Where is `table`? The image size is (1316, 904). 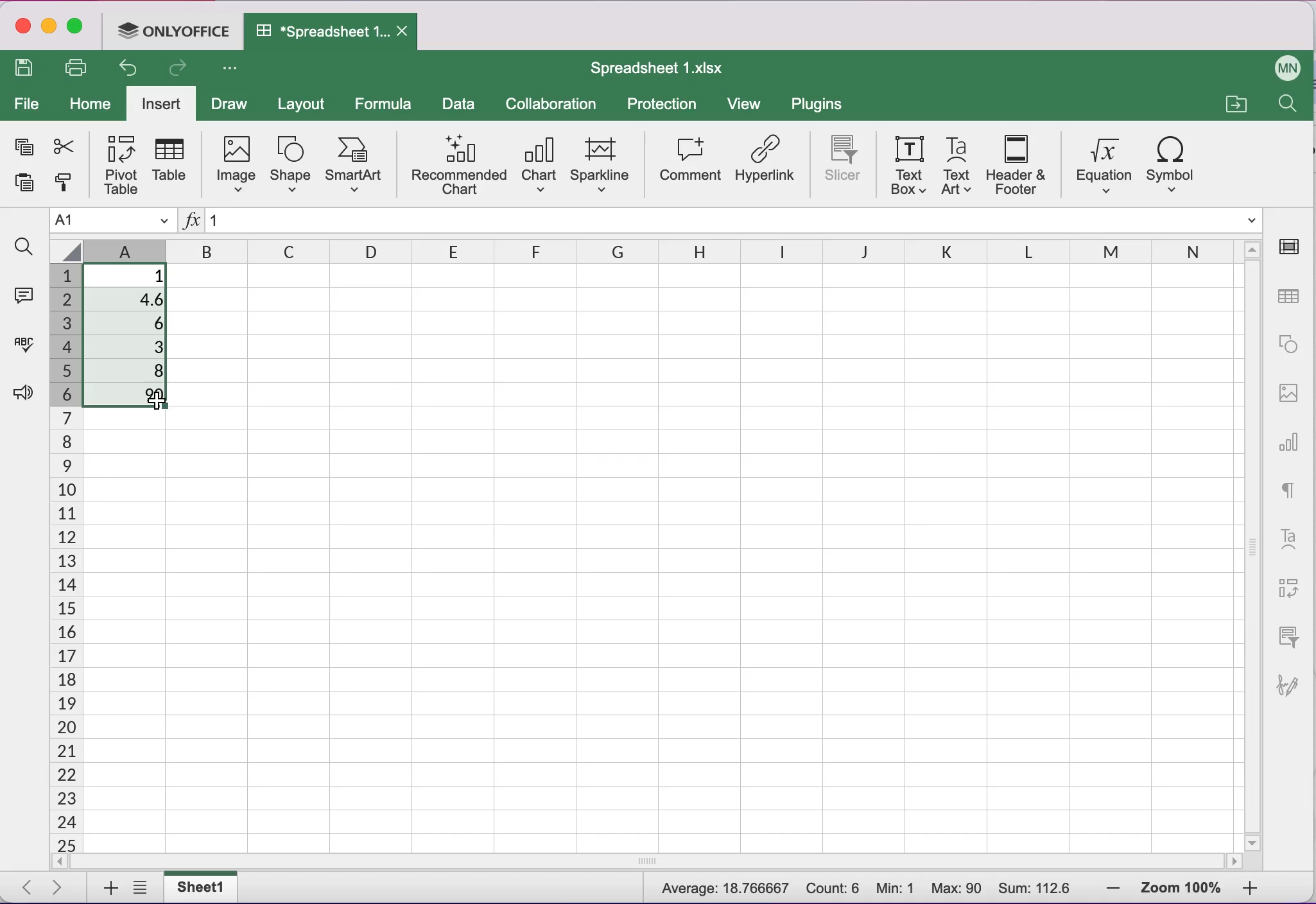 table is located at coordinates (1287, 297).